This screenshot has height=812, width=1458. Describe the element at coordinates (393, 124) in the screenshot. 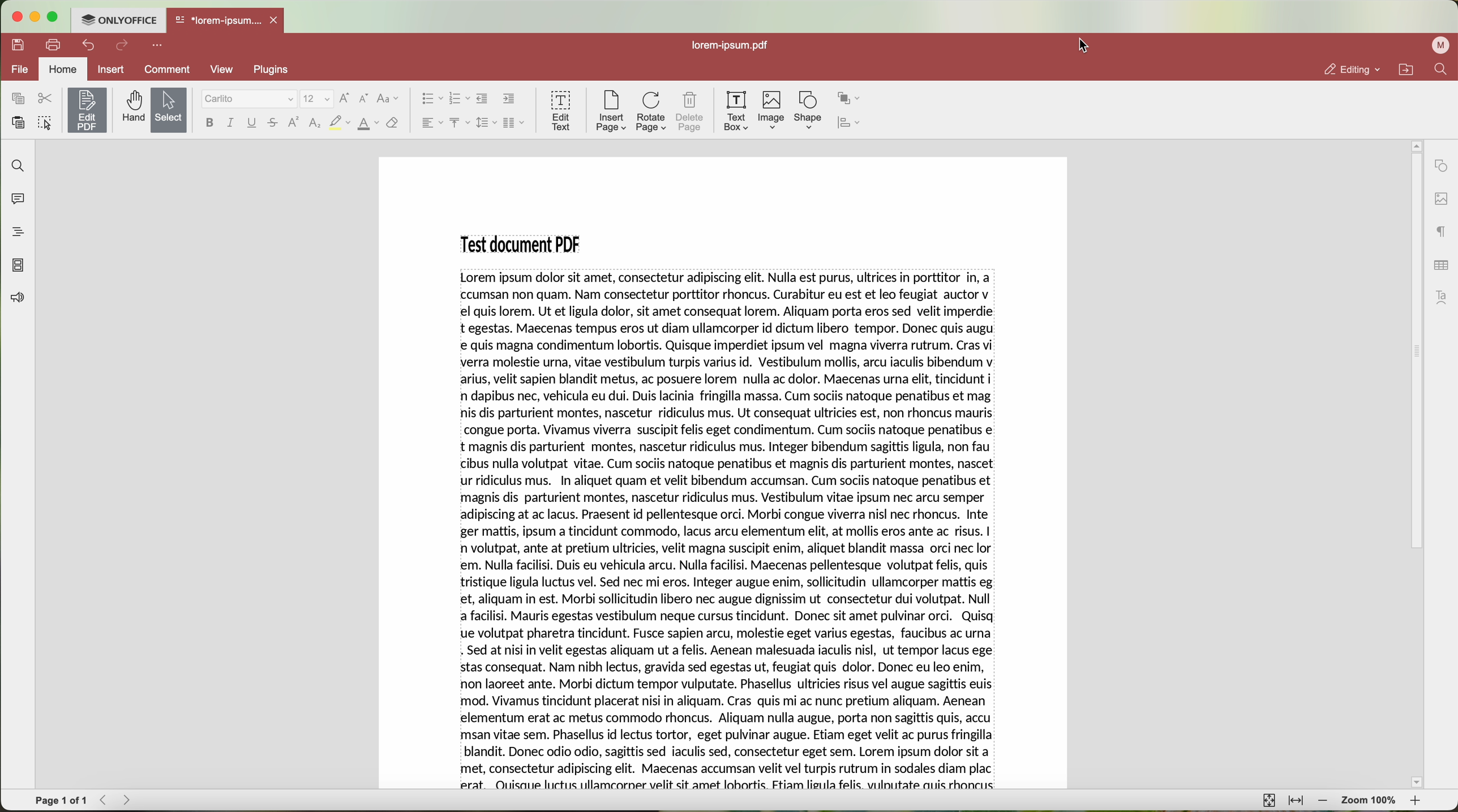

I see `clear style` at that location.